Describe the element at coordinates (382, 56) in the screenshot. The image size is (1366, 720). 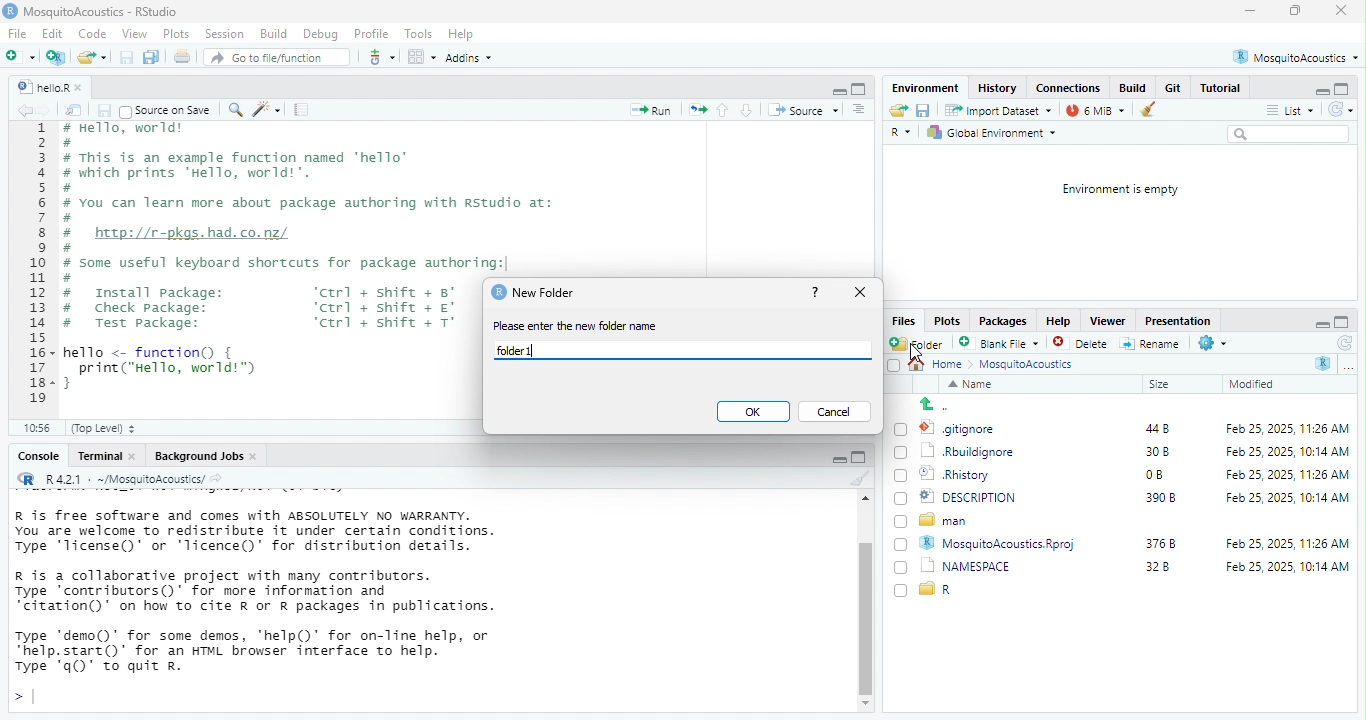
I see `git` at that location.